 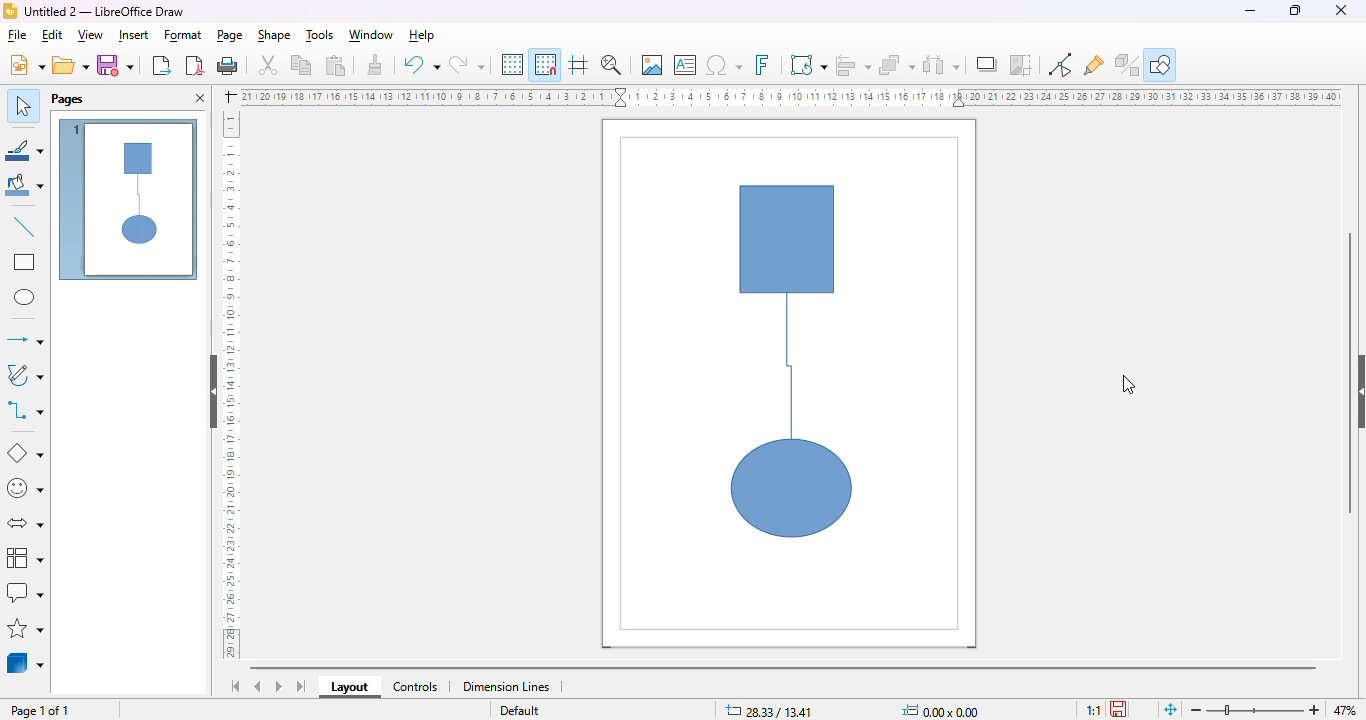 I want to click on edit, so click(x=53, y=36).